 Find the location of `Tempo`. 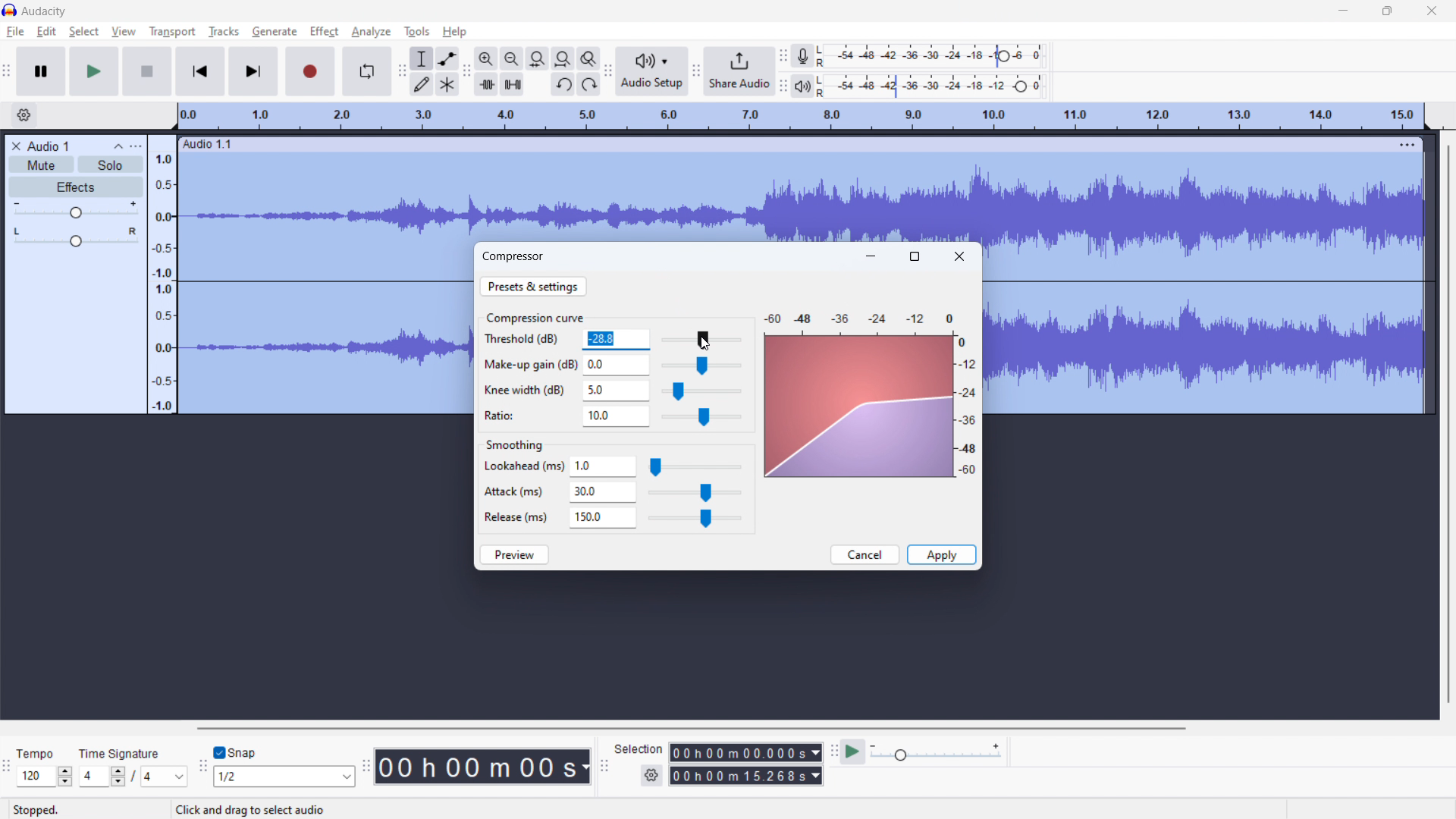

Tempo is located at coordinates (40, 749).